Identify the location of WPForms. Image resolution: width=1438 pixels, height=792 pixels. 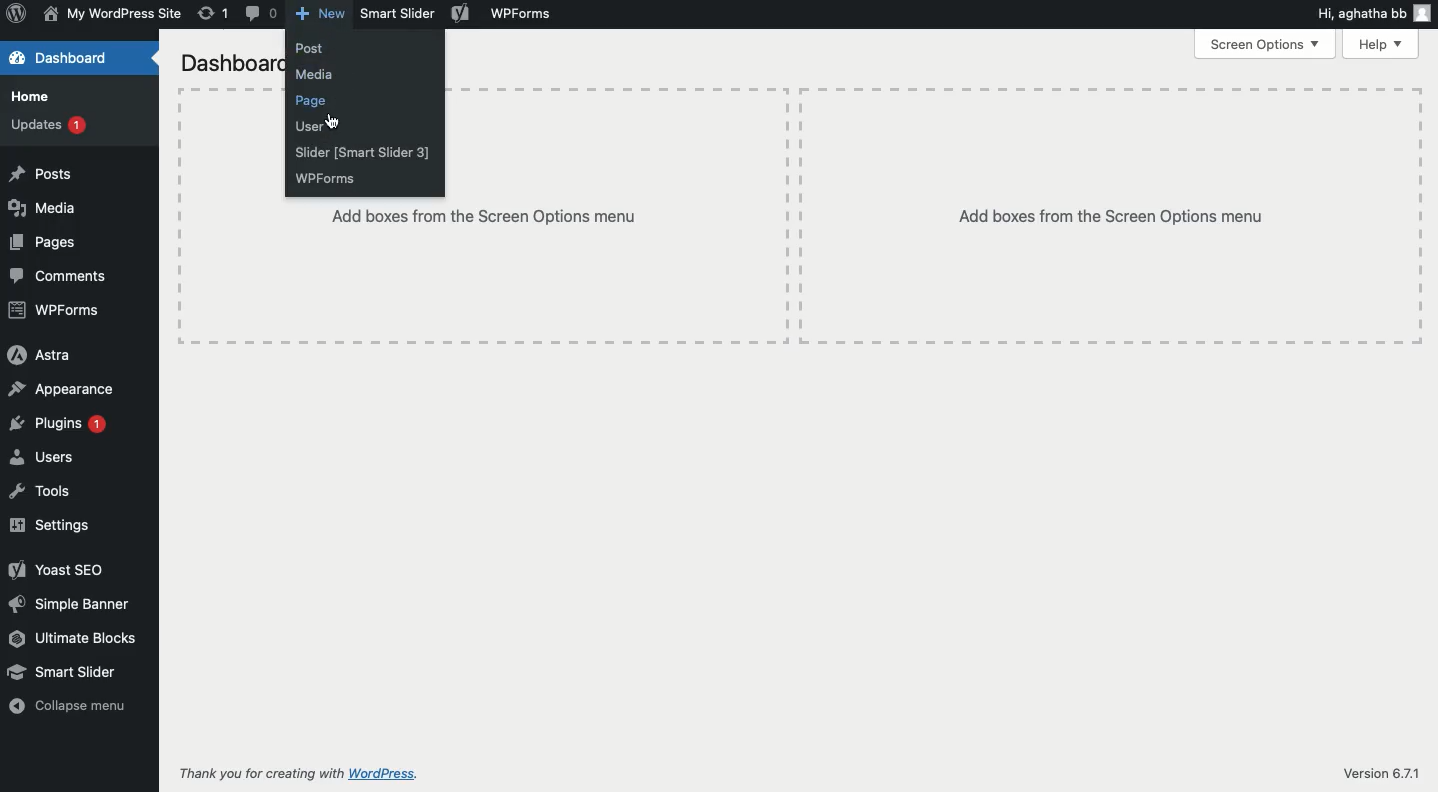
(526, 13).